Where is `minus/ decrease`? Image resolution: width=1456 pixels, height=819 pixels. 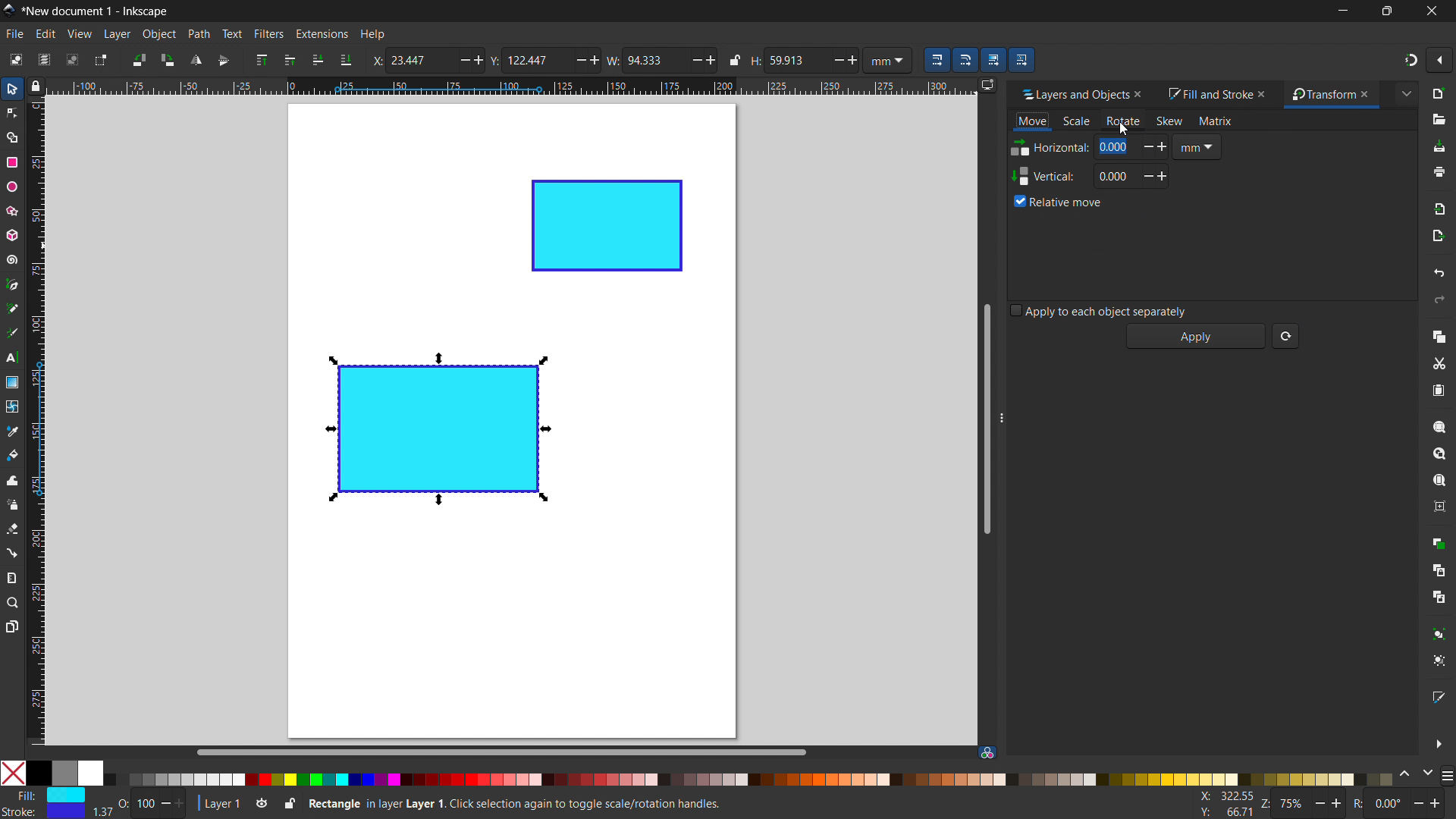
minus/ decrease is located at coordinates (458, 60).